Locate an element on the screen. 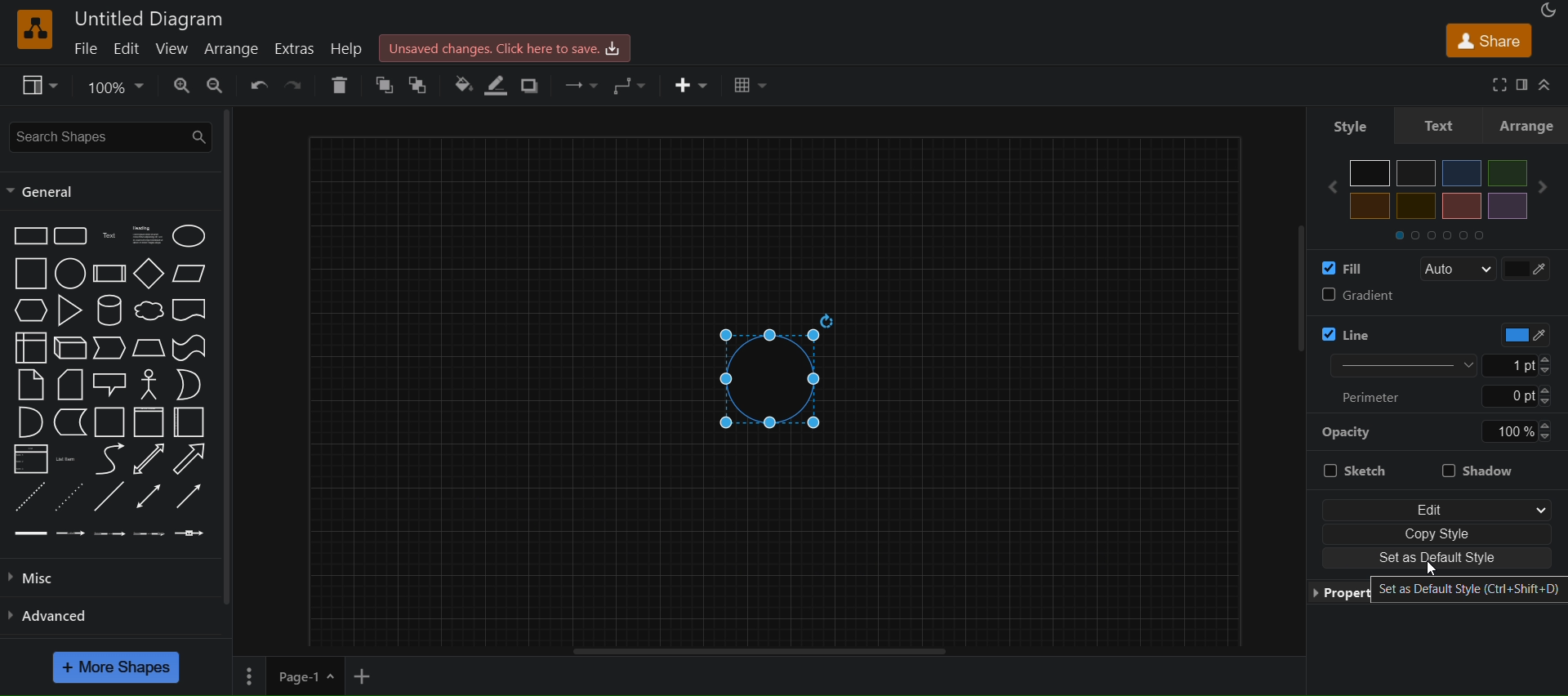 The width and height of the screenshot is (1568, 696). cube is located at coordinates (70, 349).